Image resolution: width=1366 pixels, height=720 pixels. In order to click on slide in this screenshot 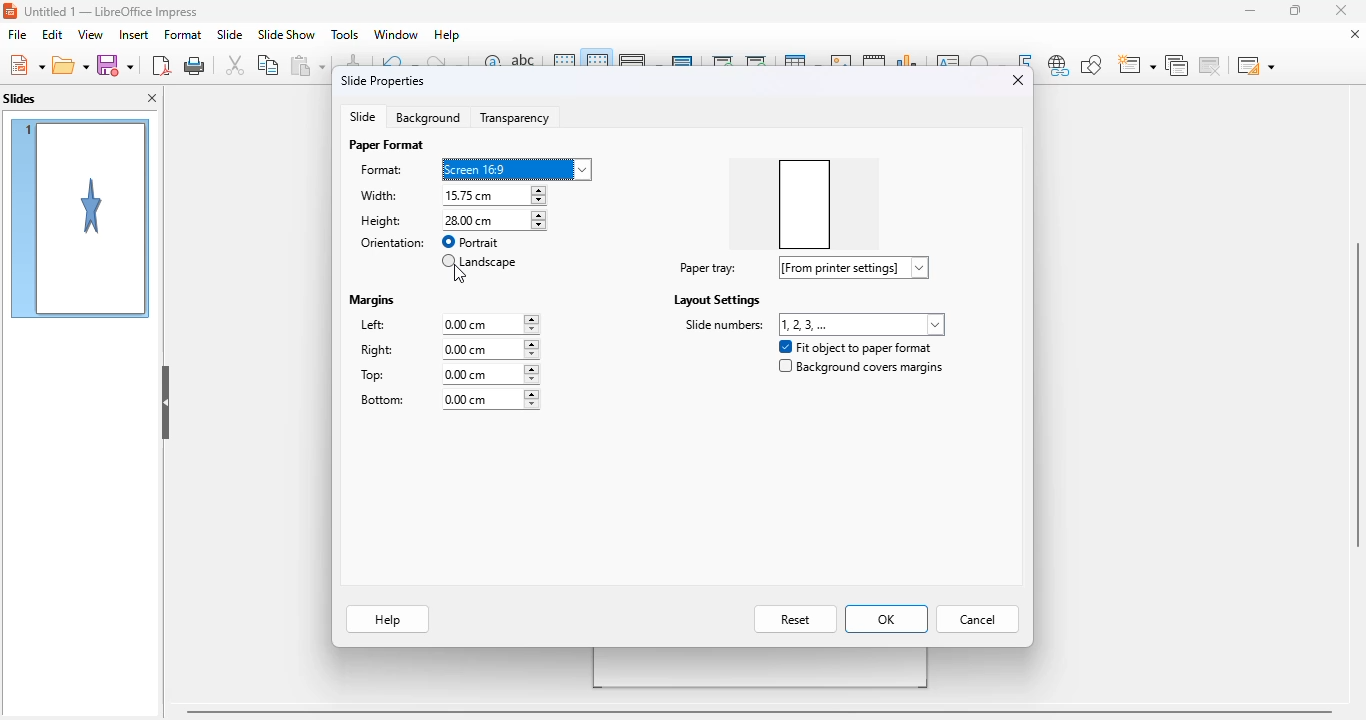, I will do `click(363, 116)`.